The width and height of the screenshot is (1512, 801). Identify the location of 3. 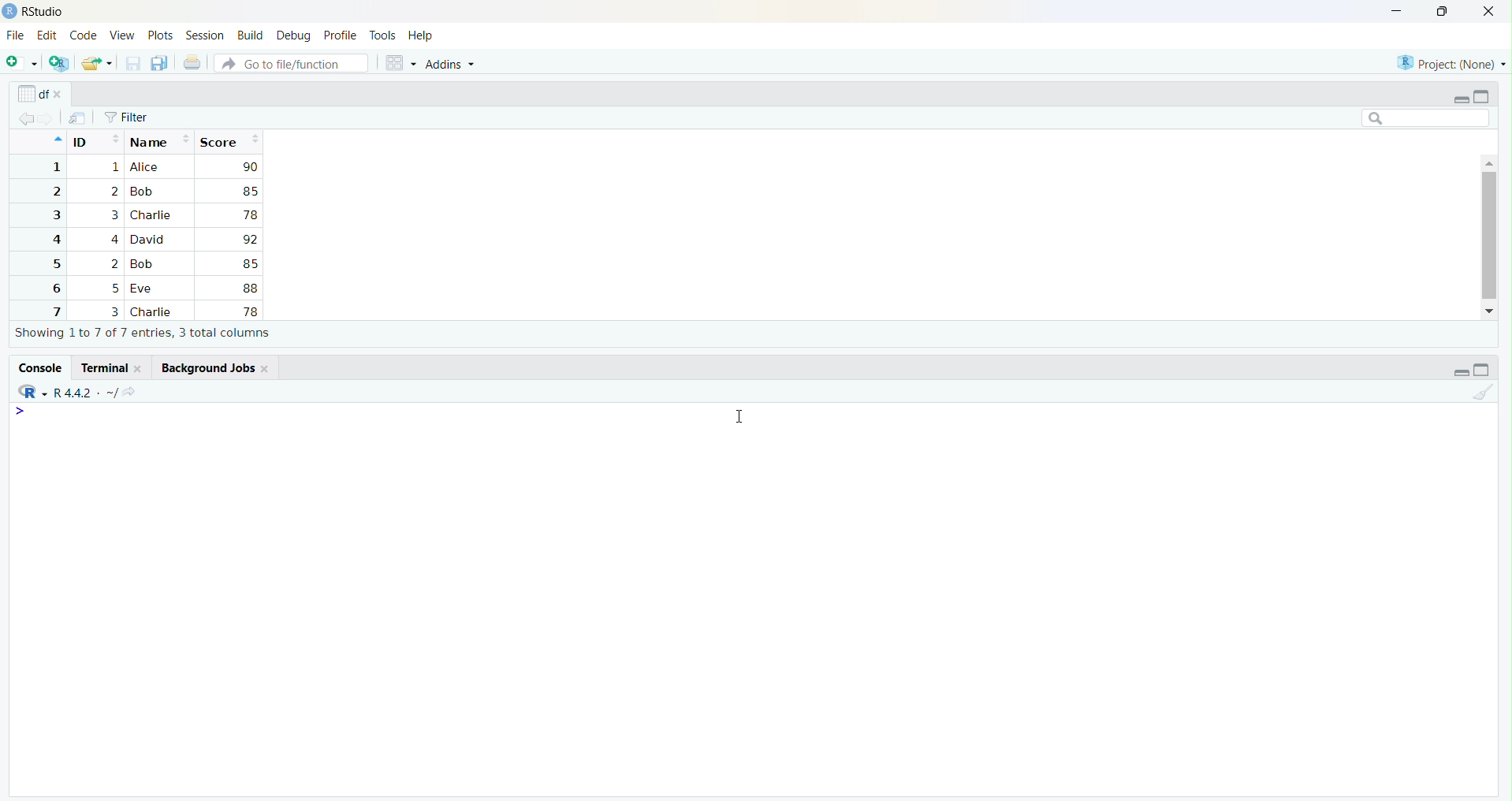
(112, 215).